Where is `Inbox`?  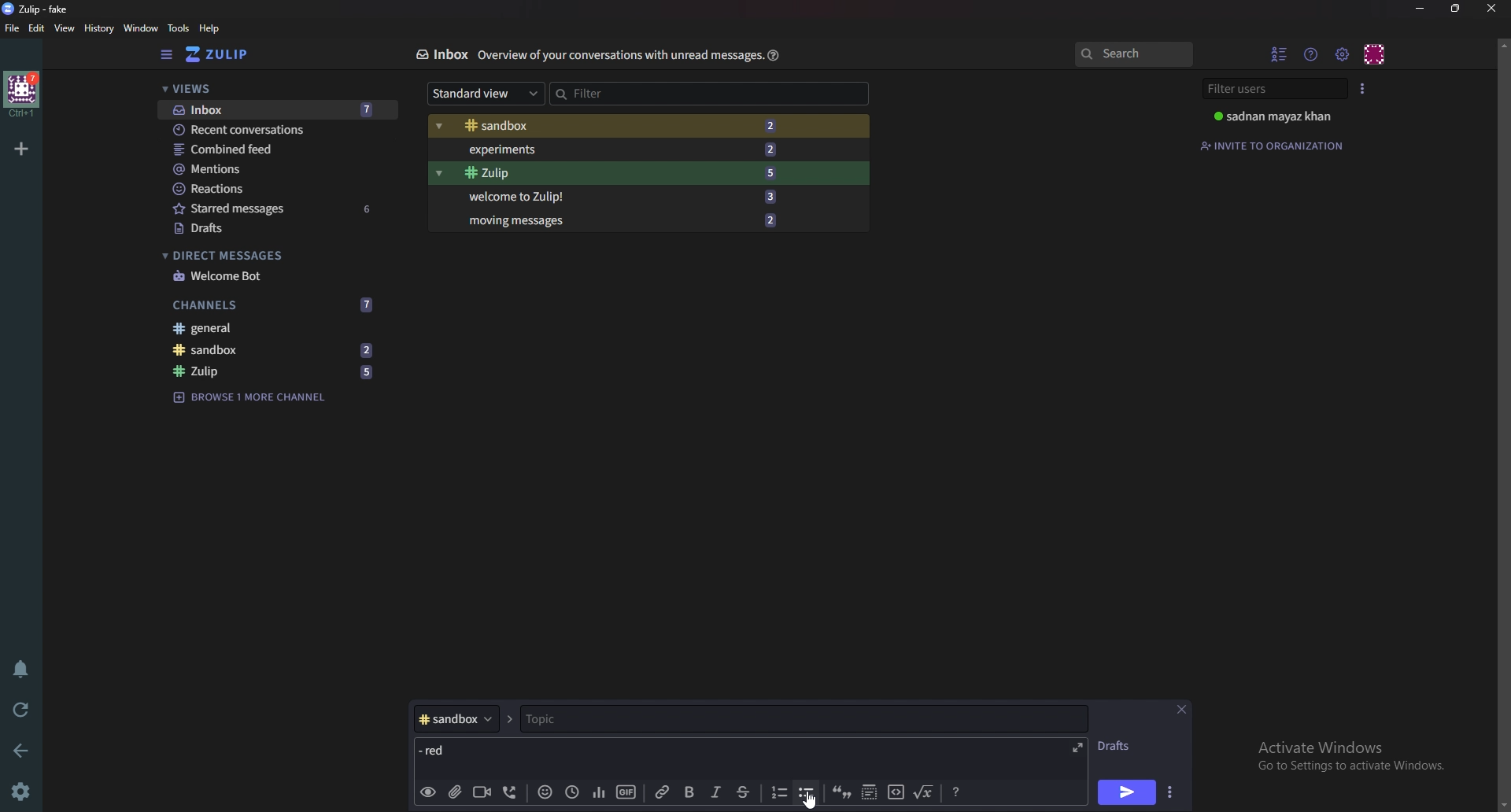
Inbox is located at coordinates (276, 111).